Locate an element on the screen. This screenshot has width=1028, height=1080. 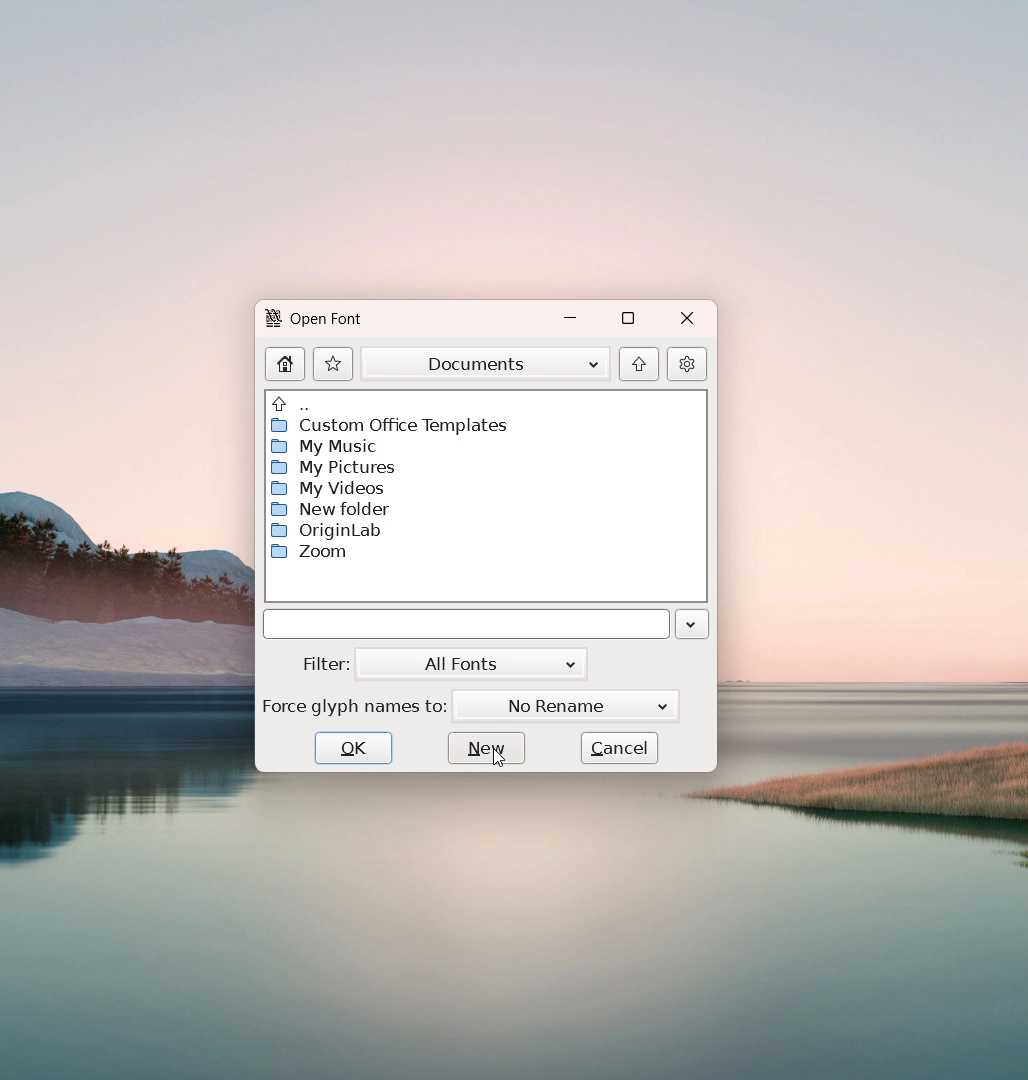
home is located at coordinates (286, 363).